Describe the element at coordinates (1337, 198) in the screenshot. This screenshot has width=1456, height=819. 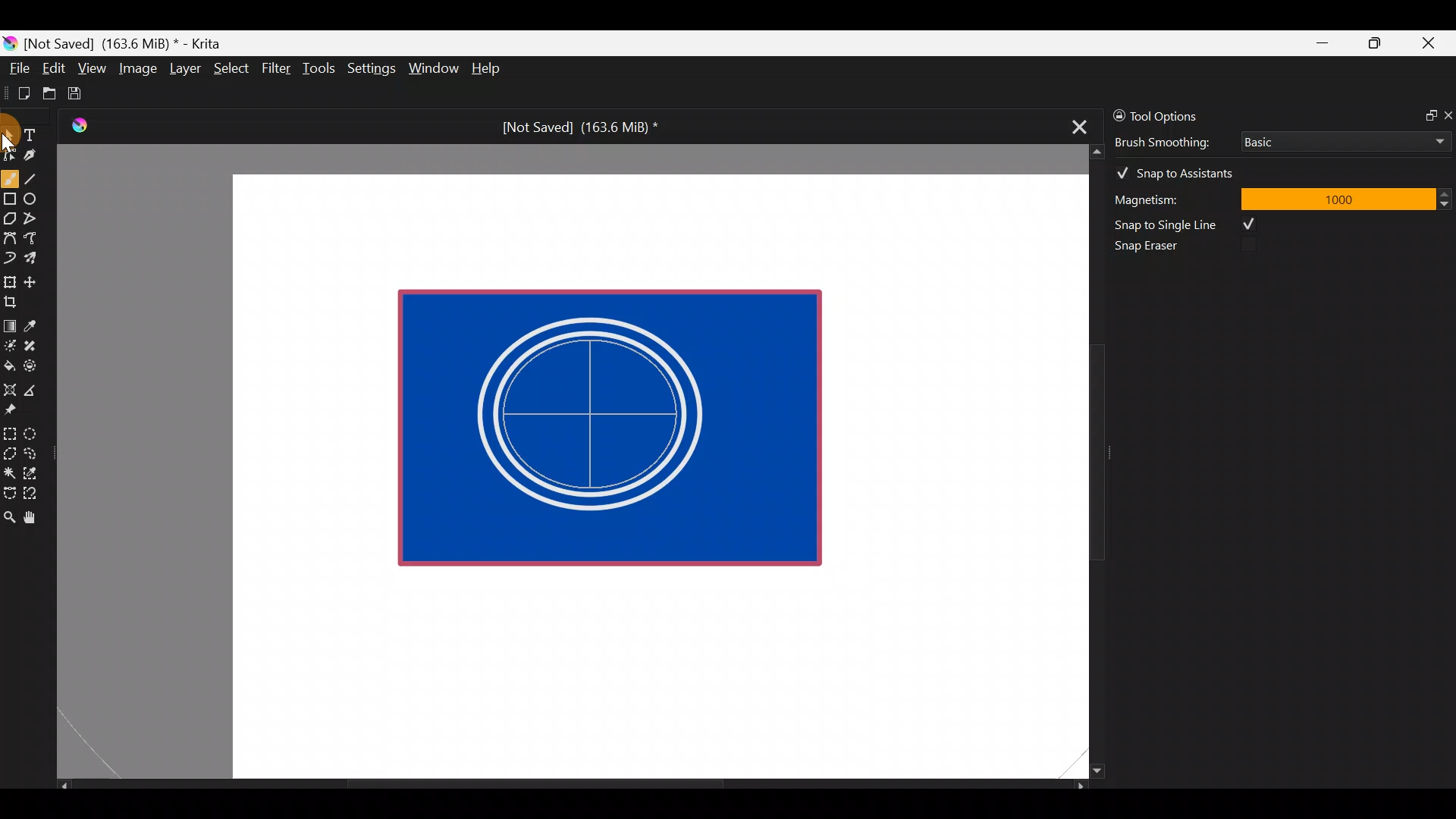
I see `1000` at that location.